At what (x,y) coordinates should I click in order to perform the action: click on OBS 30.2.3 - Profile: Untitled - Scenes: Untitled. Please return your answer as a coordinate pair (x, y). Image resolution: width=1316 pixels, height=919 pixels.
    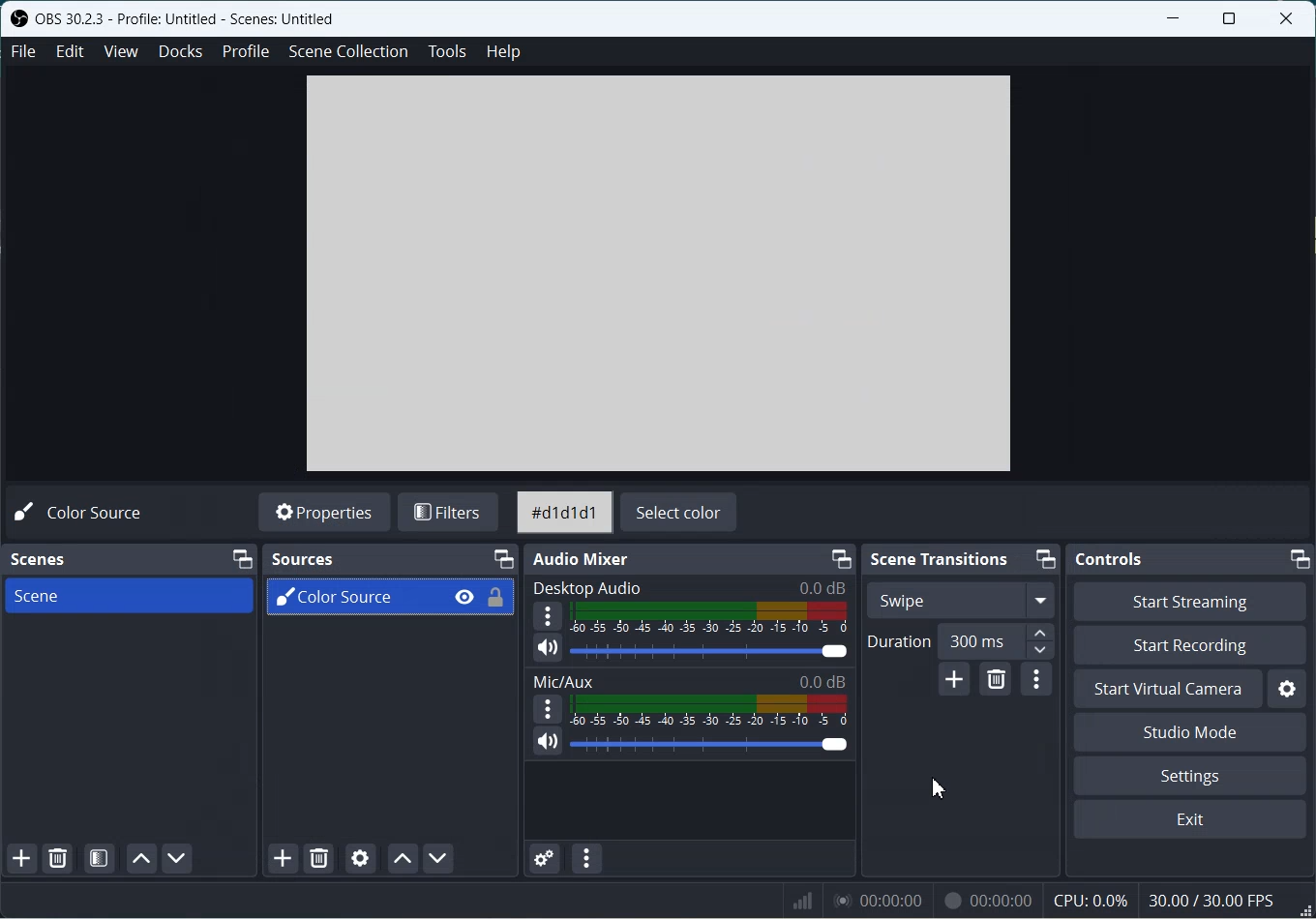
    Looking at the image, I should click on (189, 18).